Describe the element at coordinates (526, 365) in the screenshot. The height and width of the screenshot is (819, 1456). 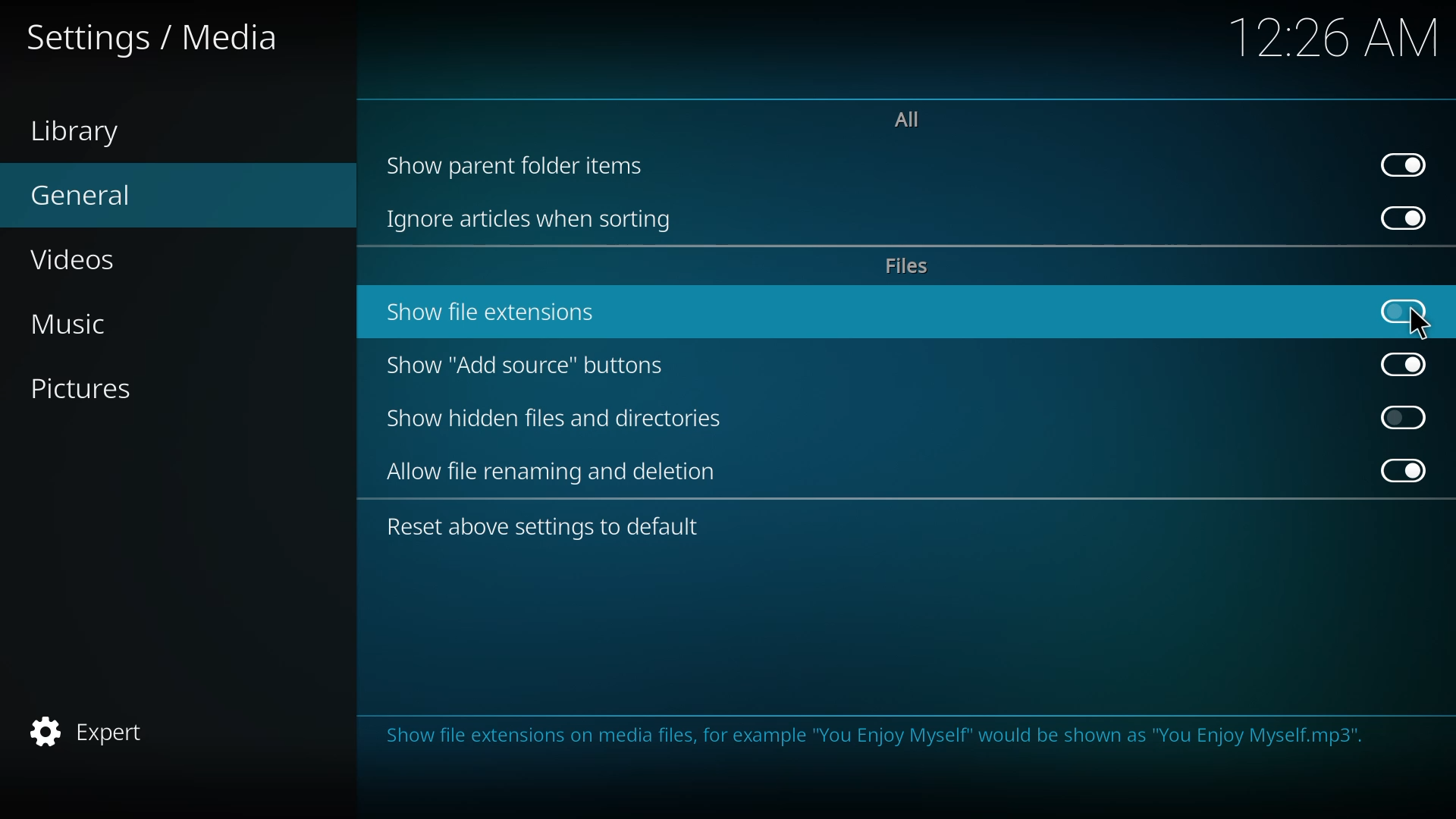
I see `show add source button` at that location.